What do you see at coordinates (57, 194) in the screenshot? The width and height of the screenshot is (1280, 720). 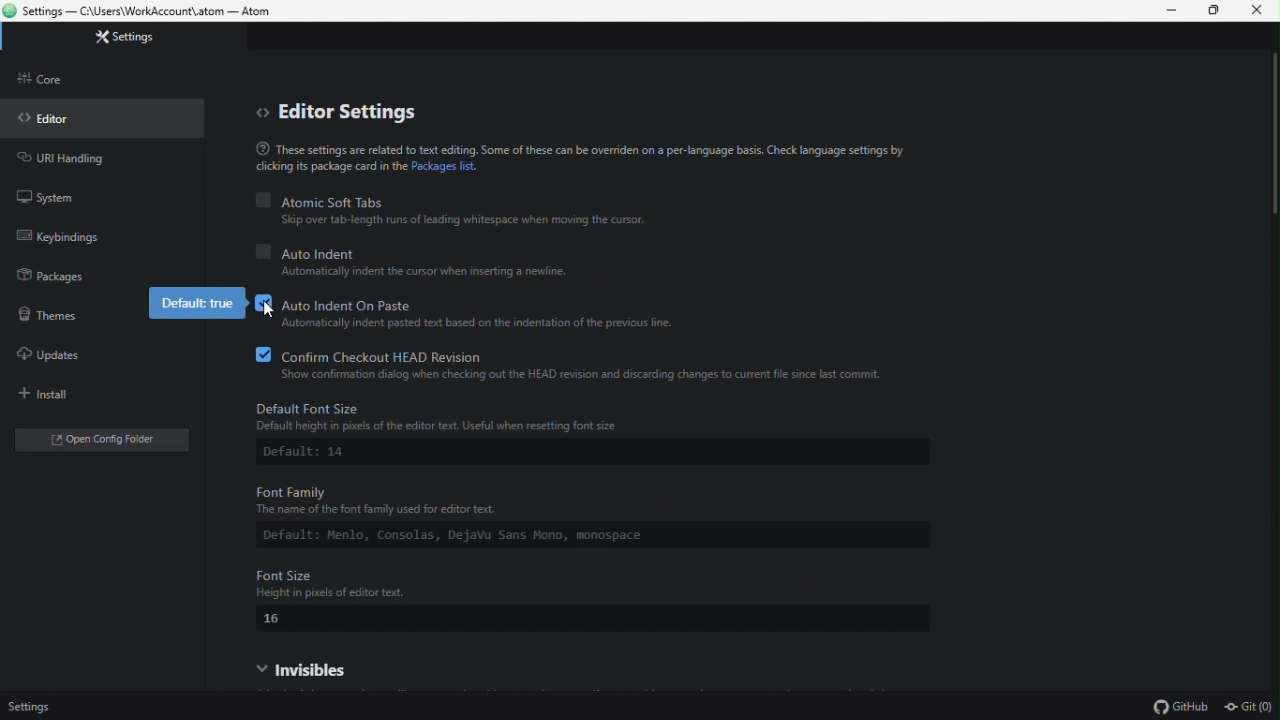 I see `system` at bounding box center [57, 194].